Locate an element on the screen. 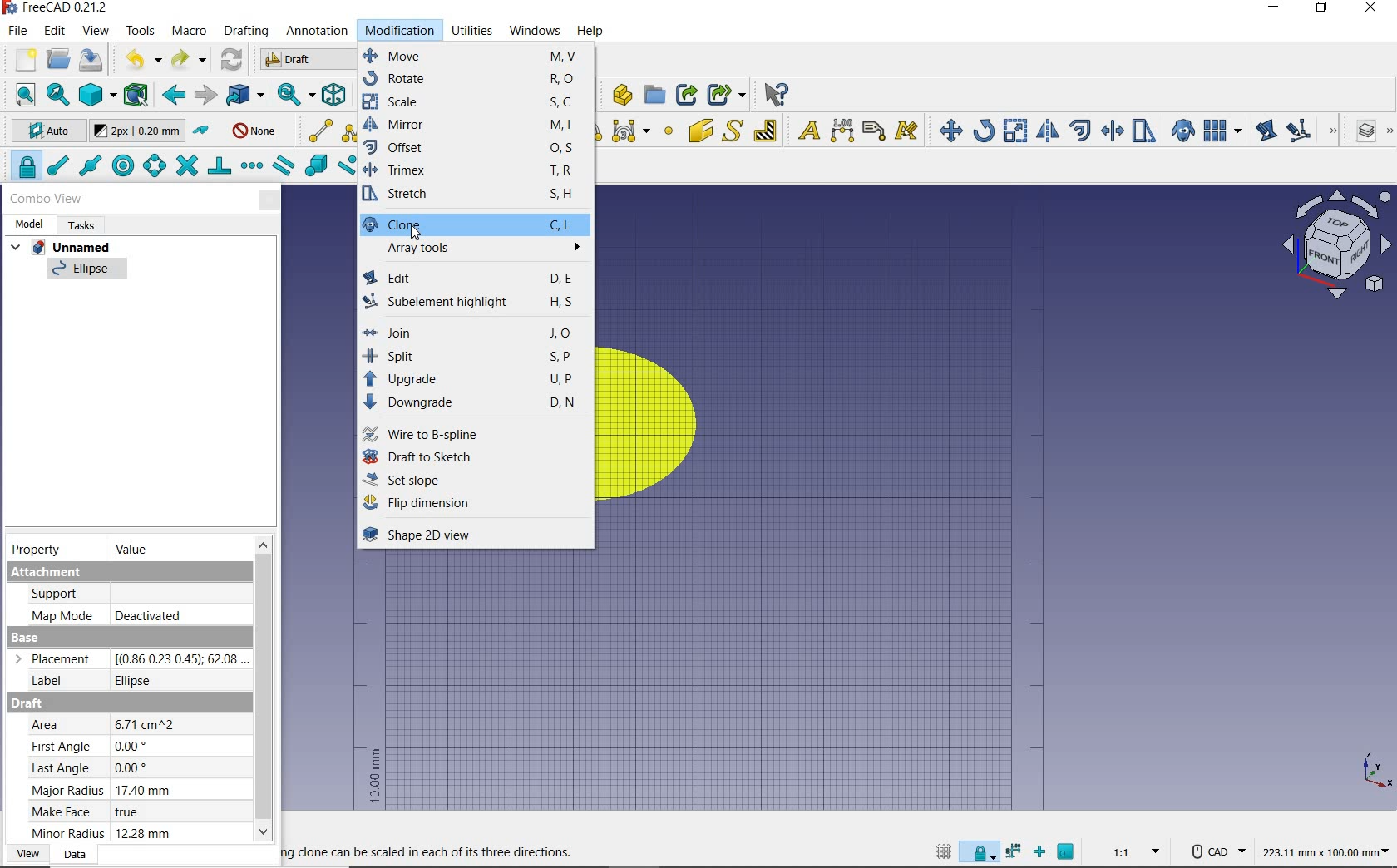 The width and height of the screenshot is (1397, 868). subelement highlight is located at coordinates (474, 301).